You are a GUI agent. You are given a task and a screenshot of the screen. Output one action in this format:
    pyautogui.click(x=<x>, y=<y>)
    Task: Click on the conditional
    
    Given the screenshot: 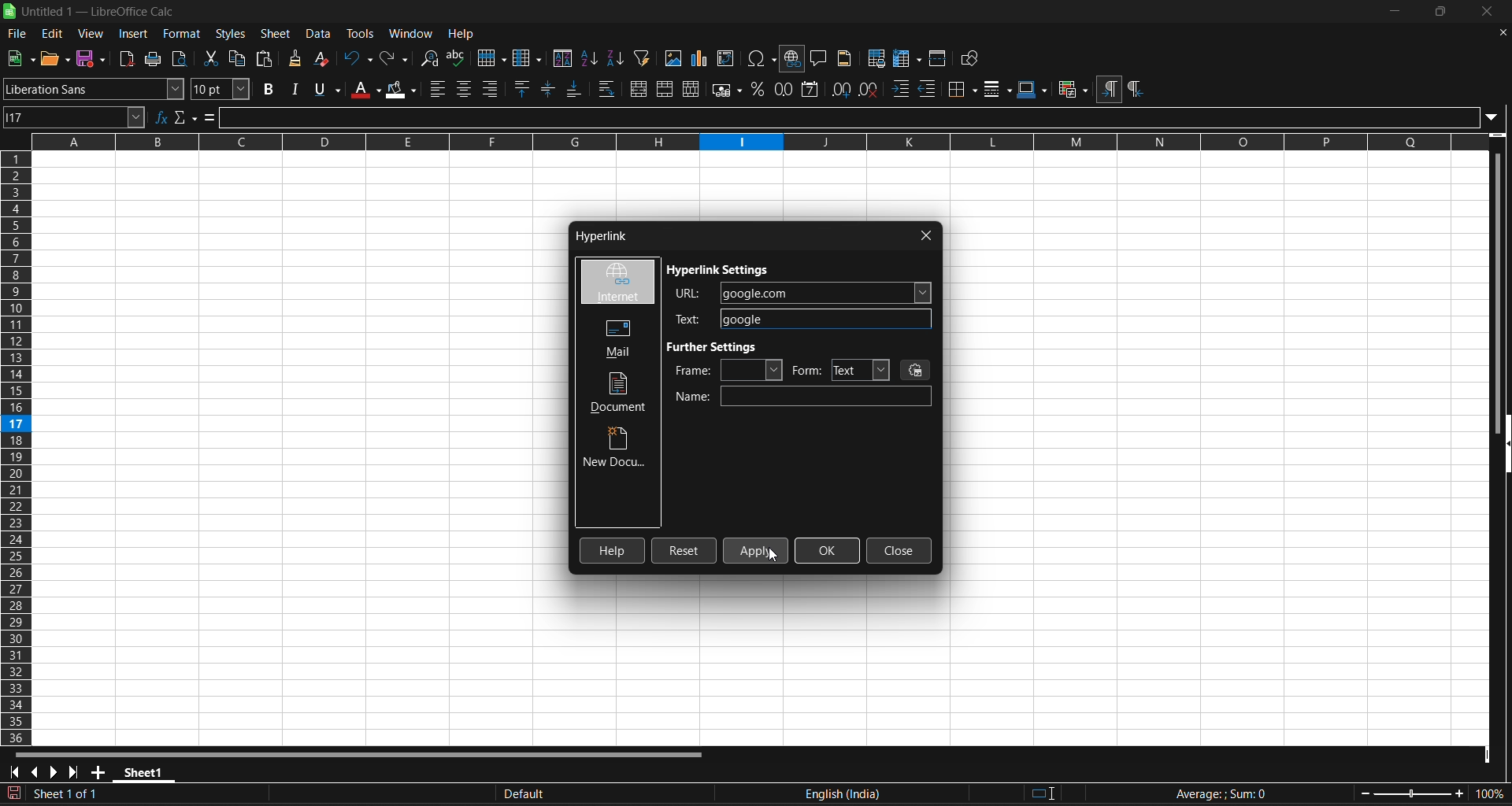 What is the action you would take?
    pyautogui.click(x=1072, y=90)
    